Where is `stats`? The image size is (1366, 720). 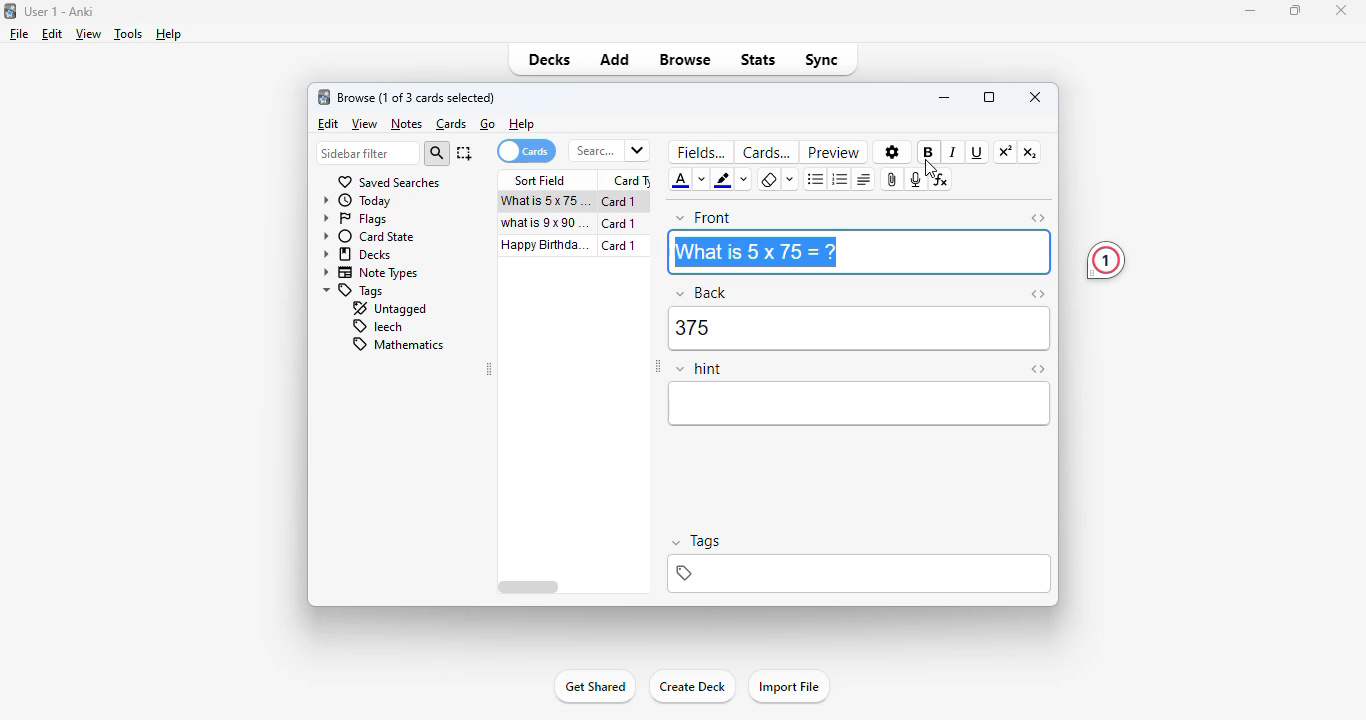
stats is located at coordinates (758, 61).